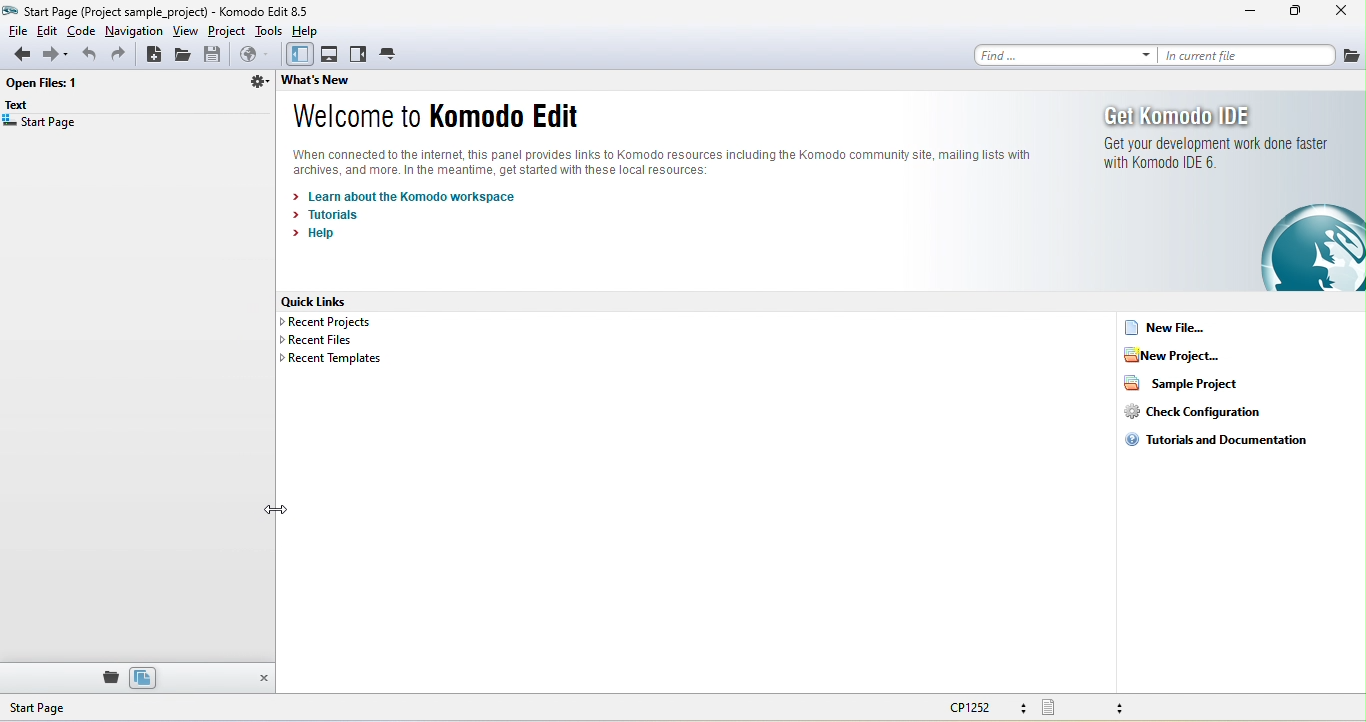 Image resolution: width=1366 pixels, height=722 pixels. Describe the element at coordinates (48, 30) in the screenshot. I see `edit` at that location.